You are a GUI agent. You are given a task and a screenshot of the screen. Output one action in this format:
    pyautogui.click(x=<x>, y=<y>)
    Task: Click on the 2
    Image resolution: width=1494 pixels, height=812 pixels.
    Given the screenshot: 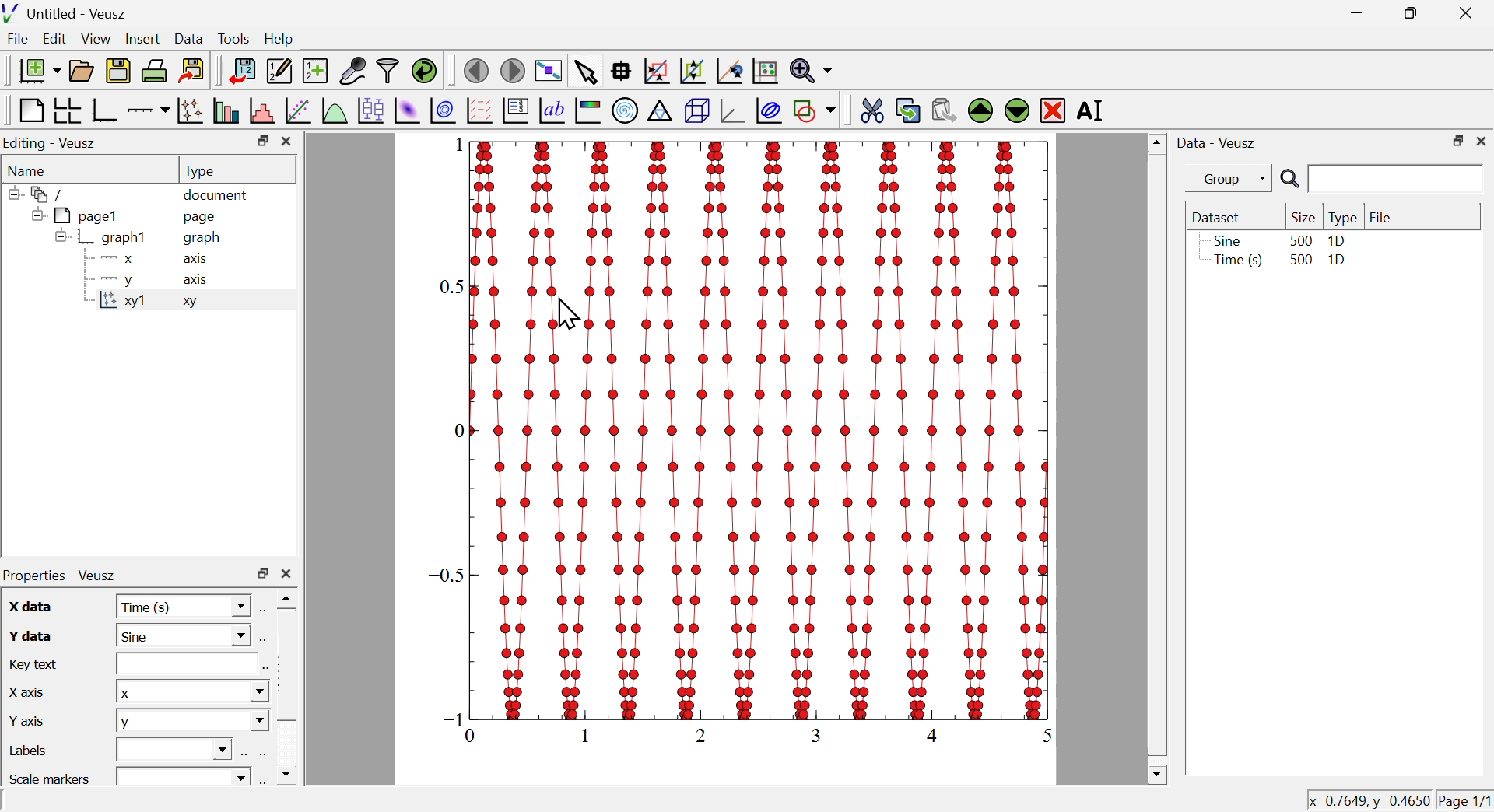 What is the action you would take?
    pyautogui.click(x=703, y=734)
    